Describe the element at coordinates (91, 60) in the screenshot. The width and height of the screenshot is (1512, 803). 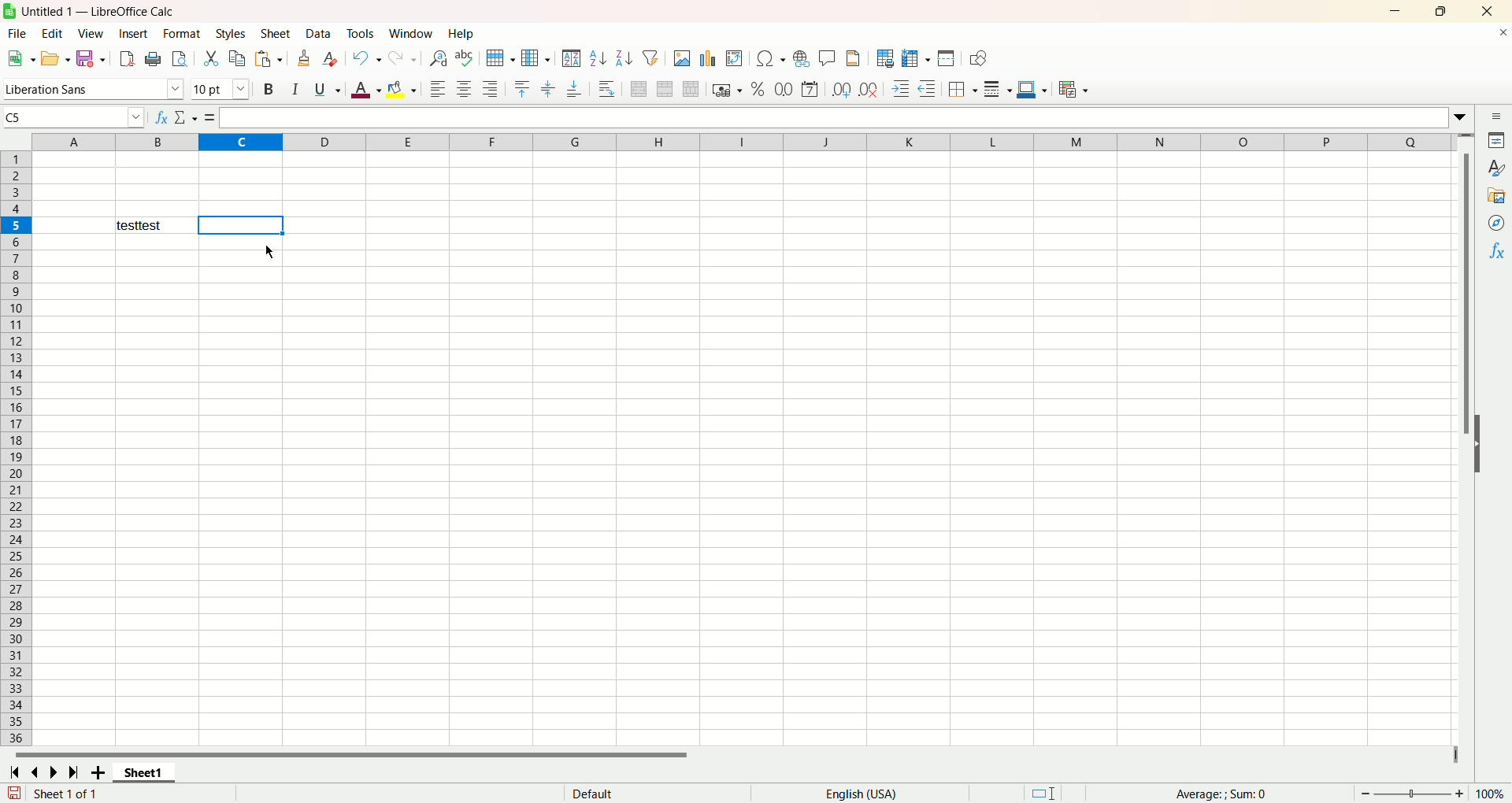
I see `save` at that location.